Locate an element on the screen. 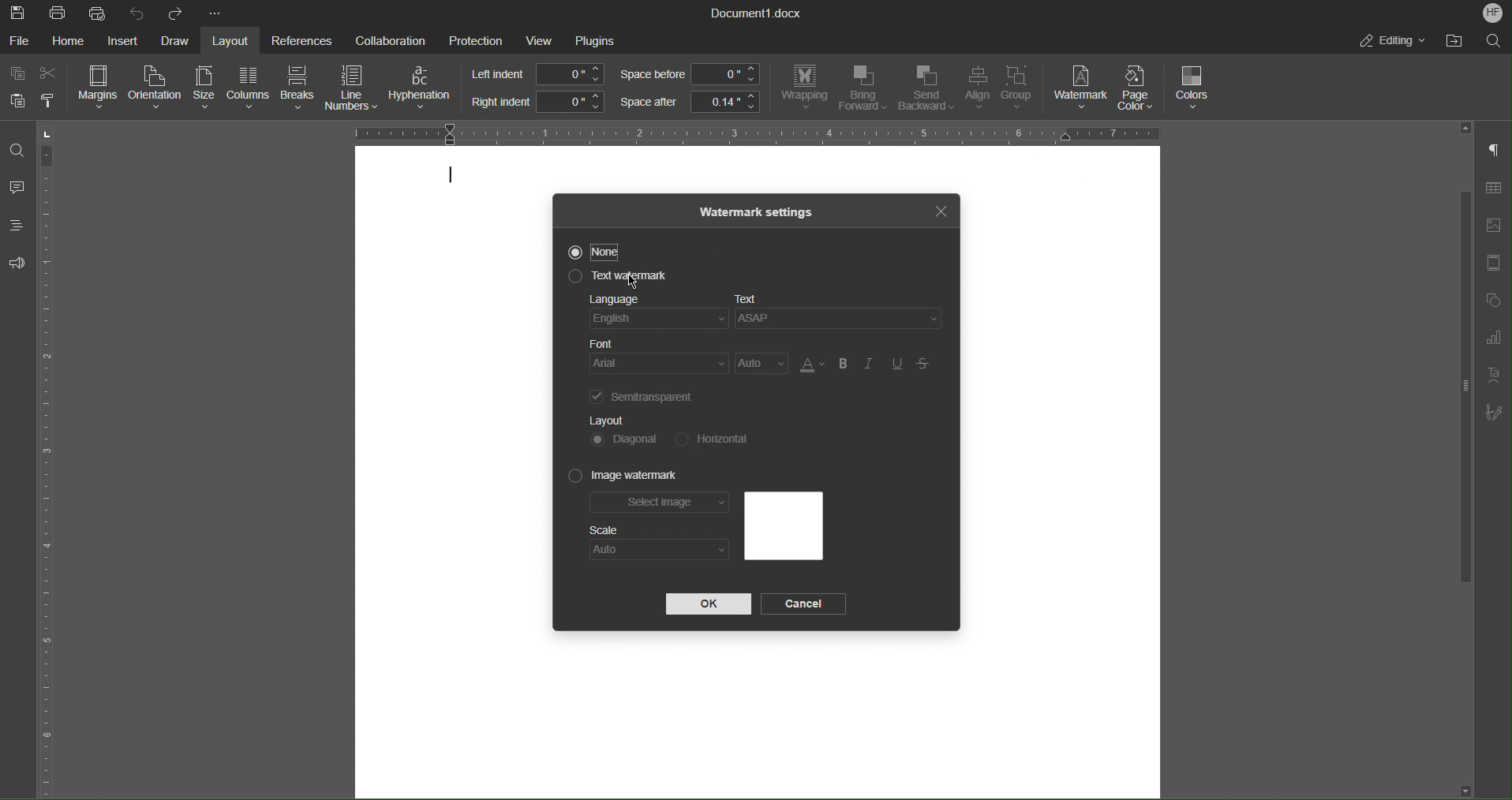  Send Backward is located at coordinates (926, 89).